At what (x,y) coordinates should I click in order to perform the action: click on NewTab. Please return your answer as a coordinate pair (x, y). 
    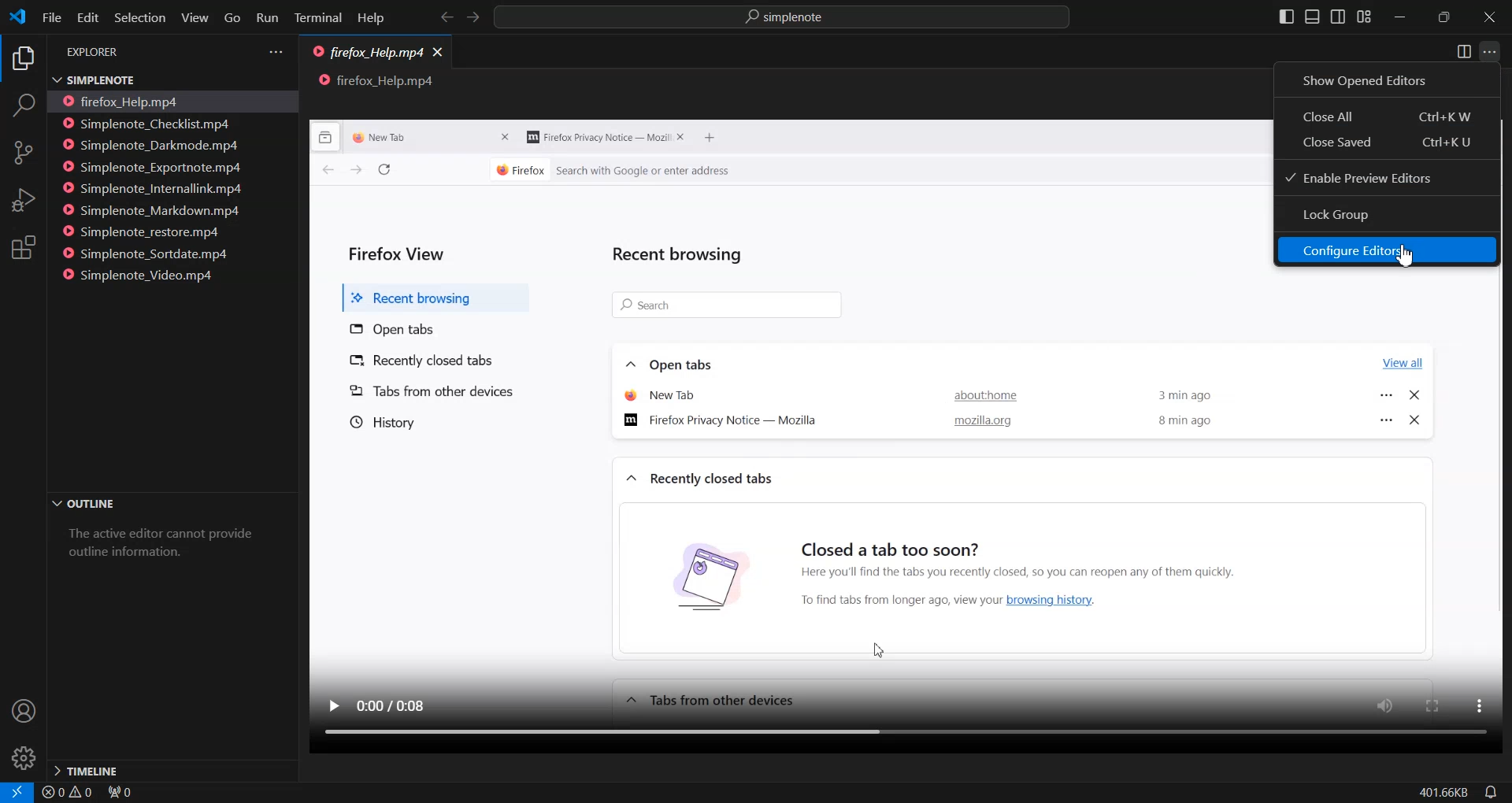
    Looking at the image, I should click on (395, 136).